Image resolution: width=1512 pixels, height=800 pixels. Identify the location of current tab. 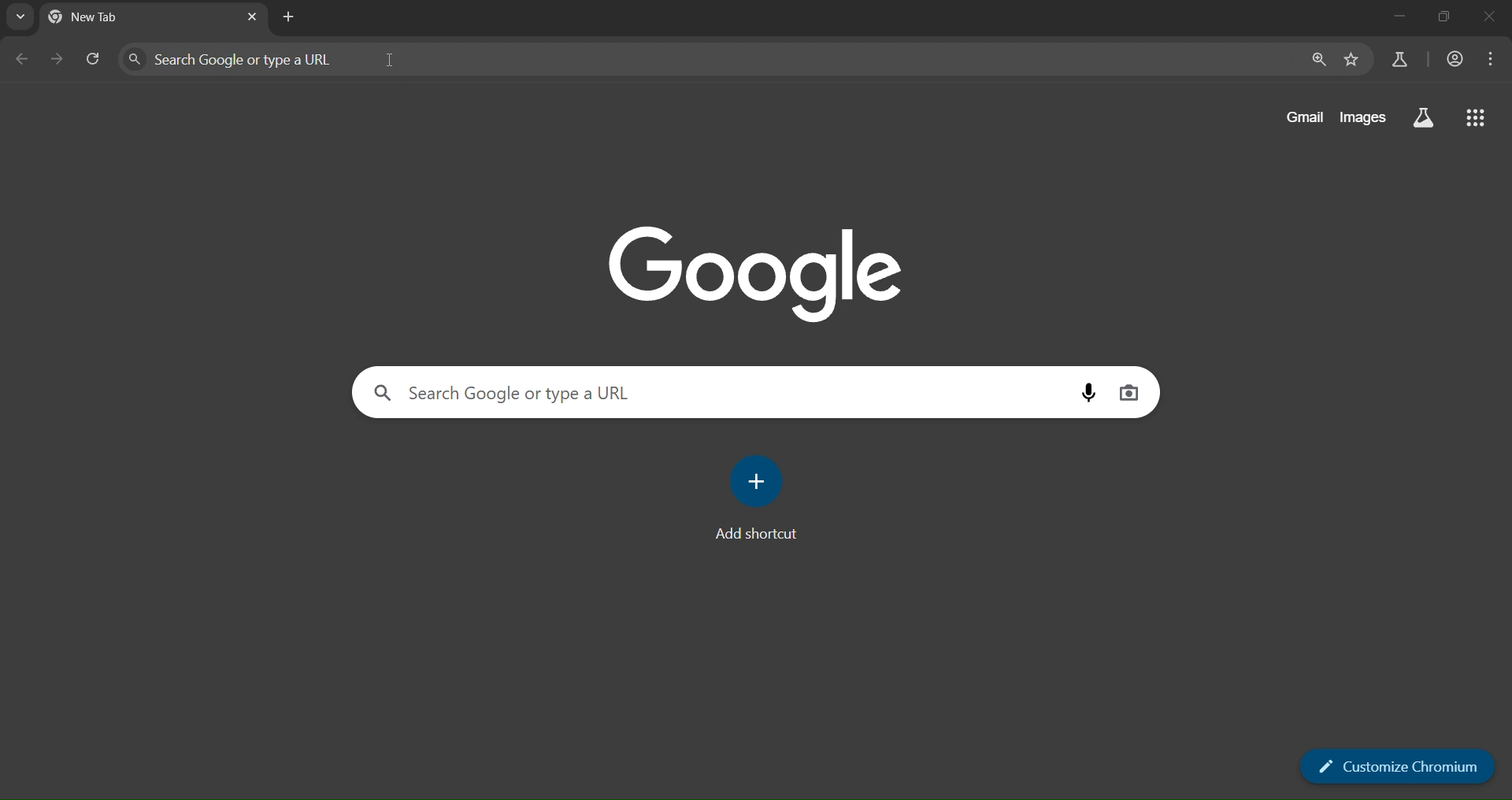
(121, 18).